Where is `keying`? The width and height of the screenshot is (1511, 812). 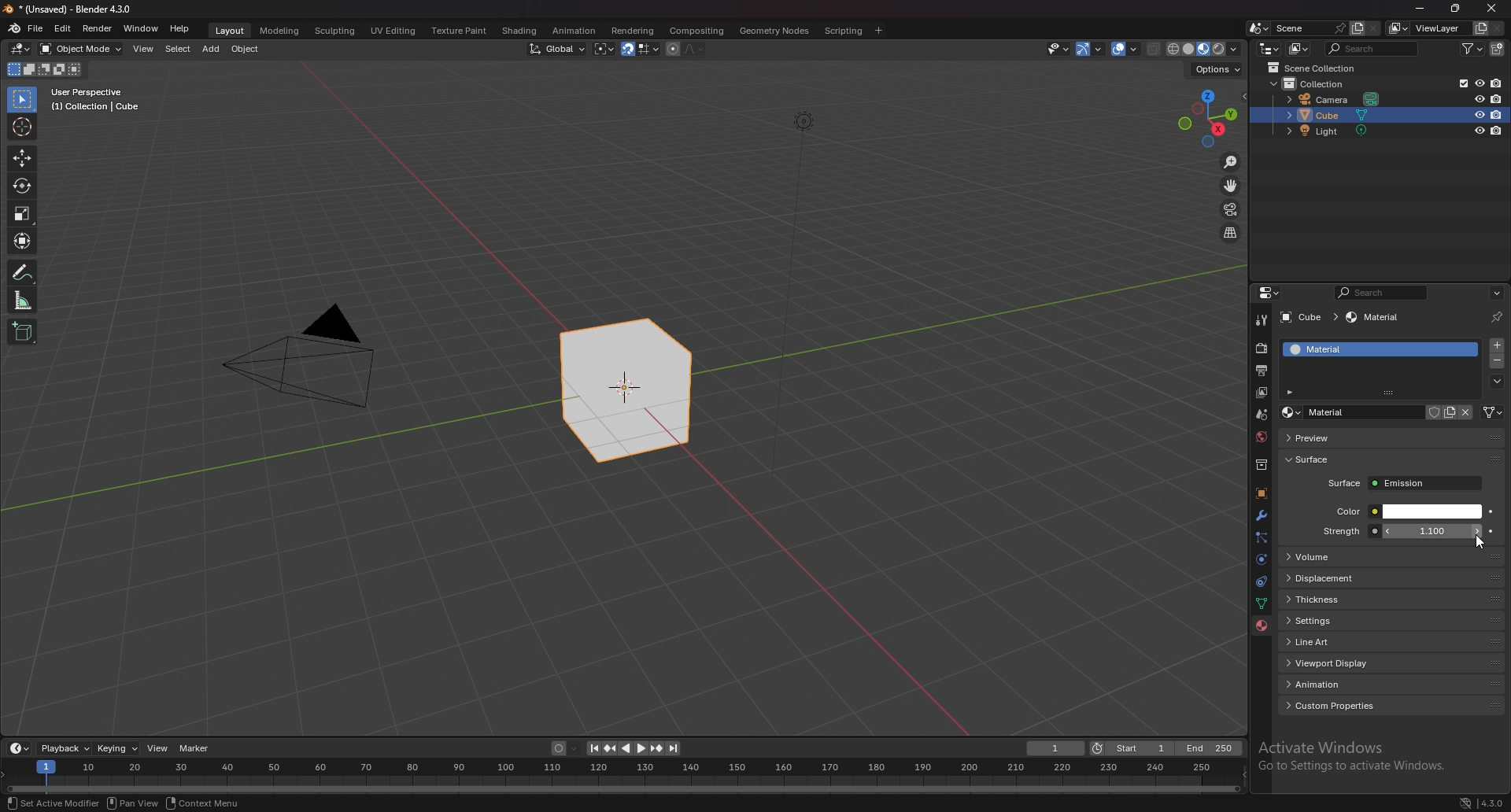
keying is located at coordinates (118, 747).